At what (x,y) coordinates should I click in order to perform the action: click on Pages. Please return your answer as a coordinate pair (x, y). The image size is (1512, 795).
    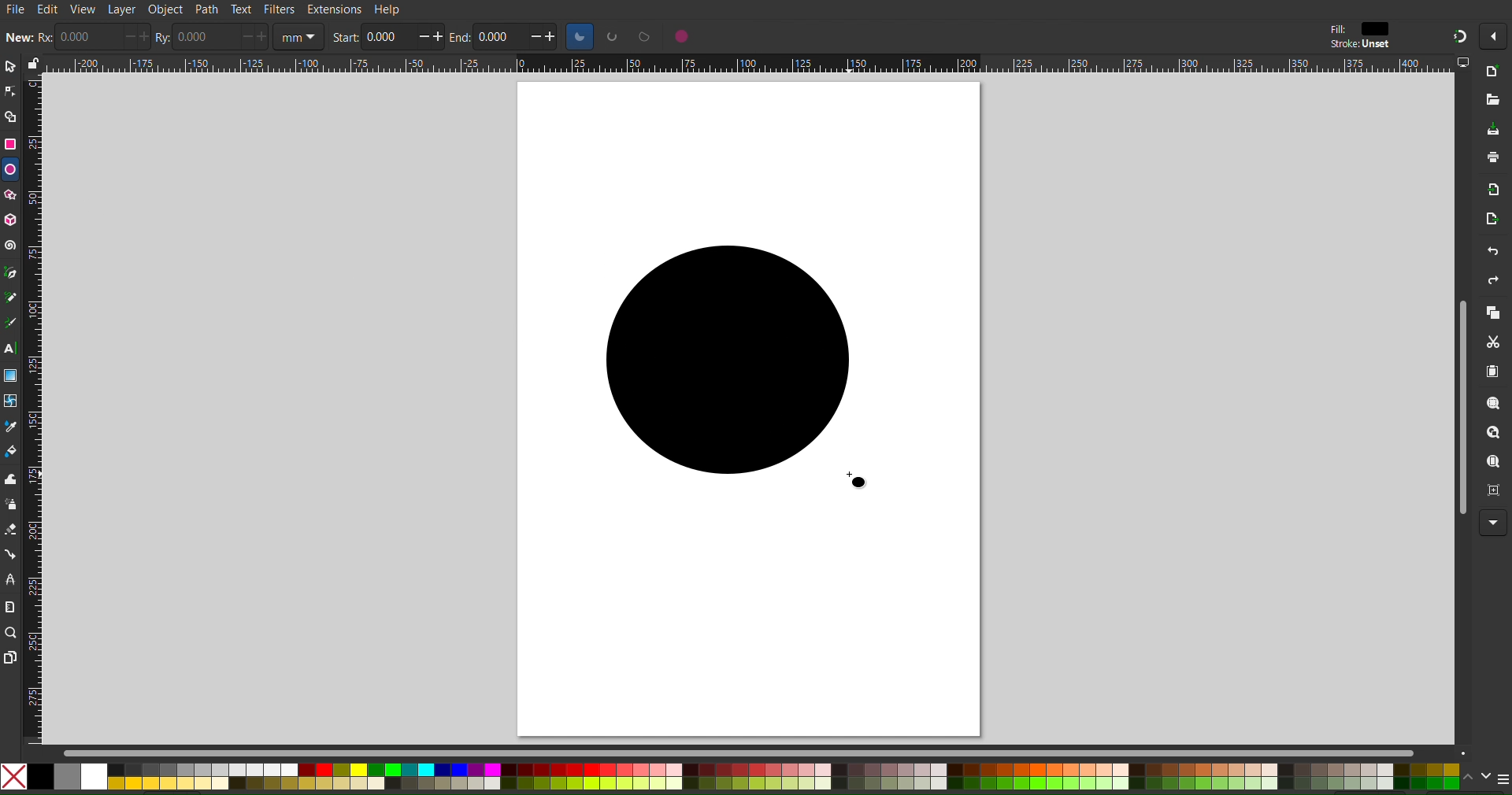
    Looking at the image, I should click on (10, 655).